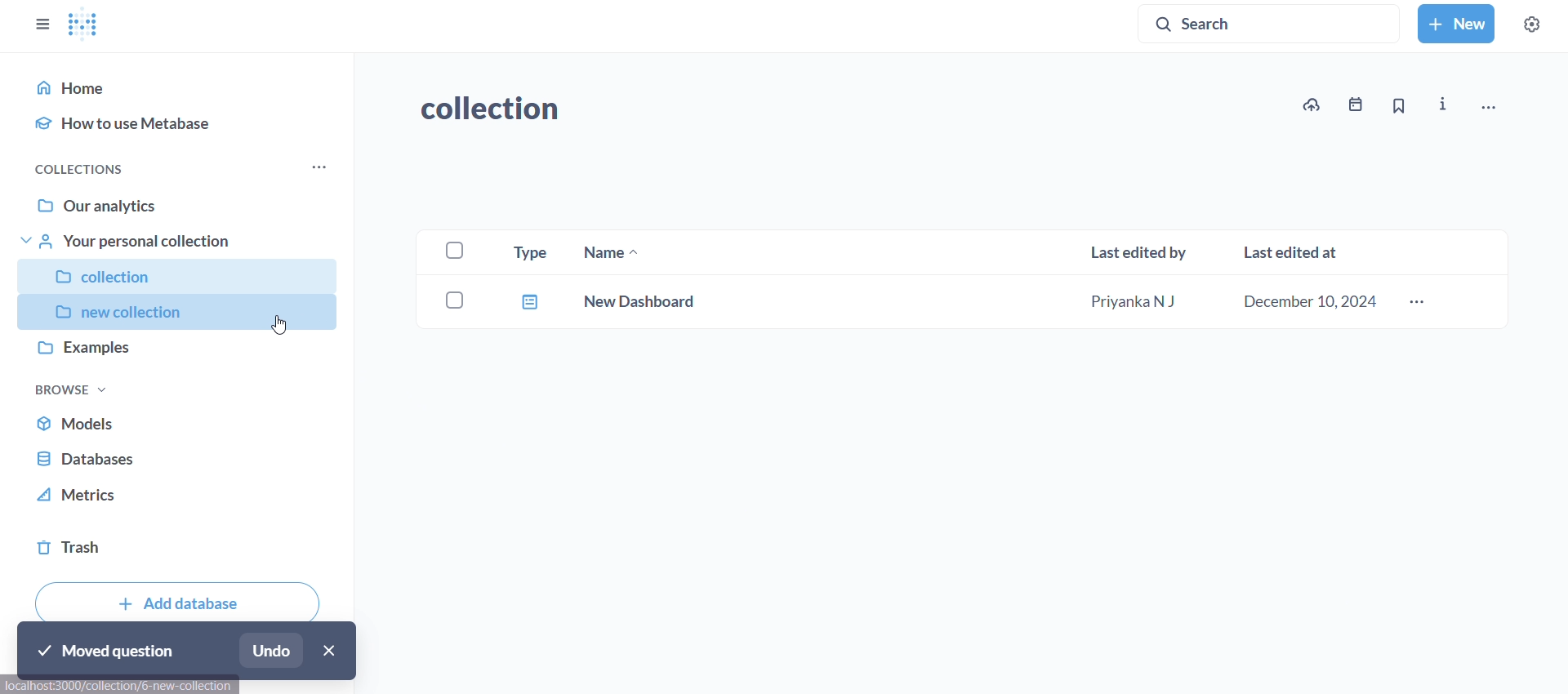 This screenshot has width=1568, height=694. What do you see at coordinates (1530, 24) in the screenshot?
I see `settings` at bounding box center [1530, 24].